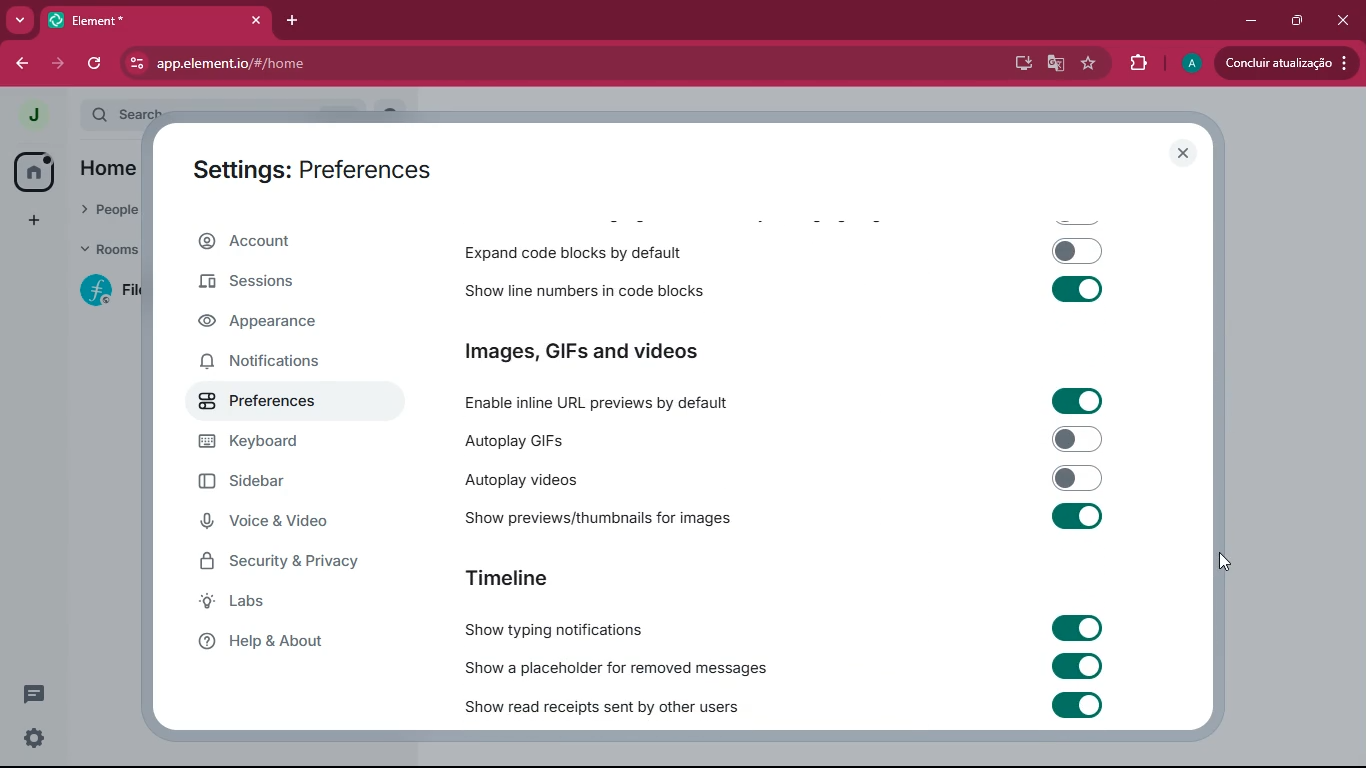 The width and height of the screenshot is (1366, 768). Describe the element at coordinates (1077, 251) in the screenshot. I see `toggle on/off` at that location.